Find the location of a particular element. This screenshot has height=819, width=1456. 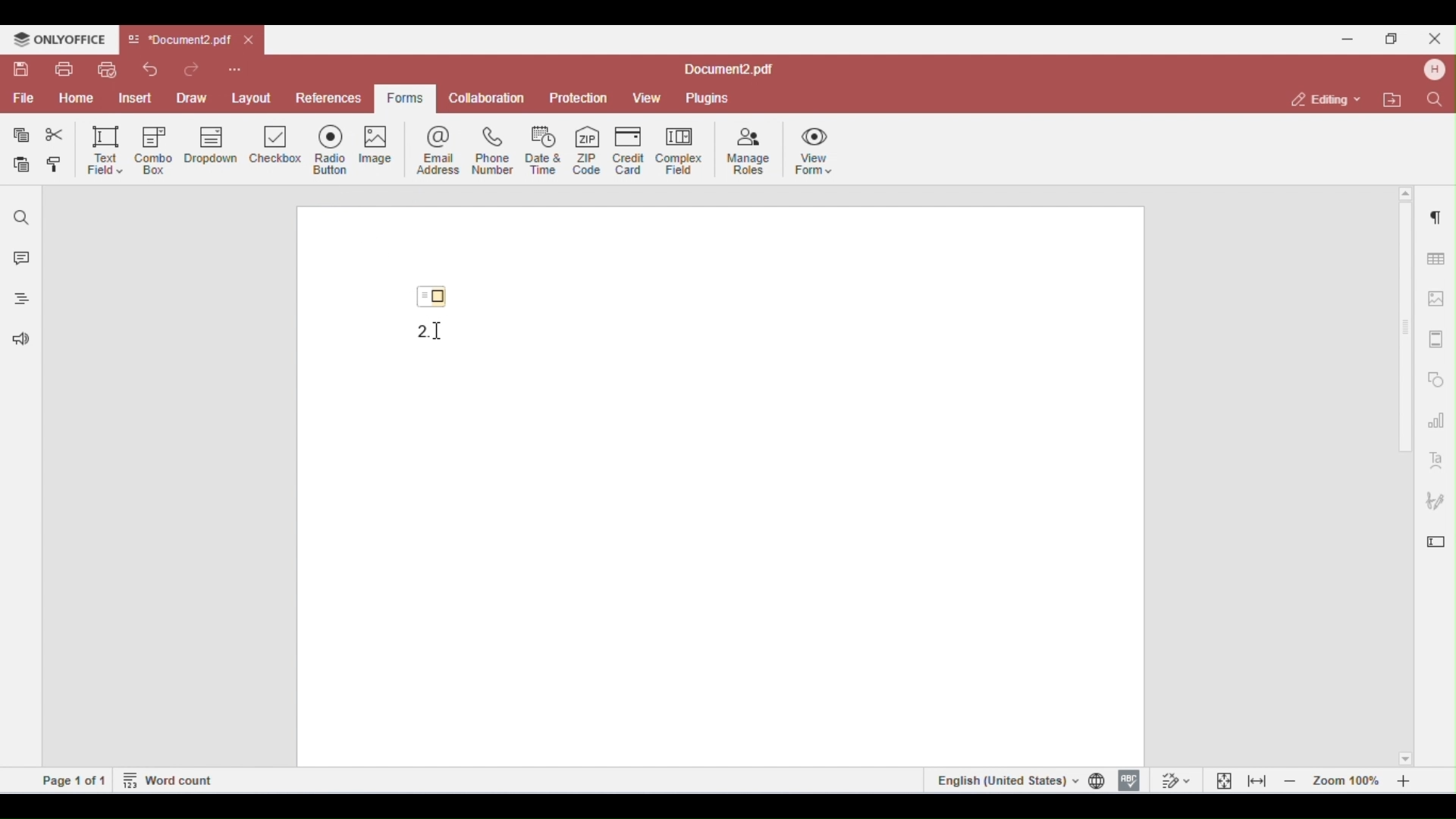

text field is located at coordinates (105, 149).